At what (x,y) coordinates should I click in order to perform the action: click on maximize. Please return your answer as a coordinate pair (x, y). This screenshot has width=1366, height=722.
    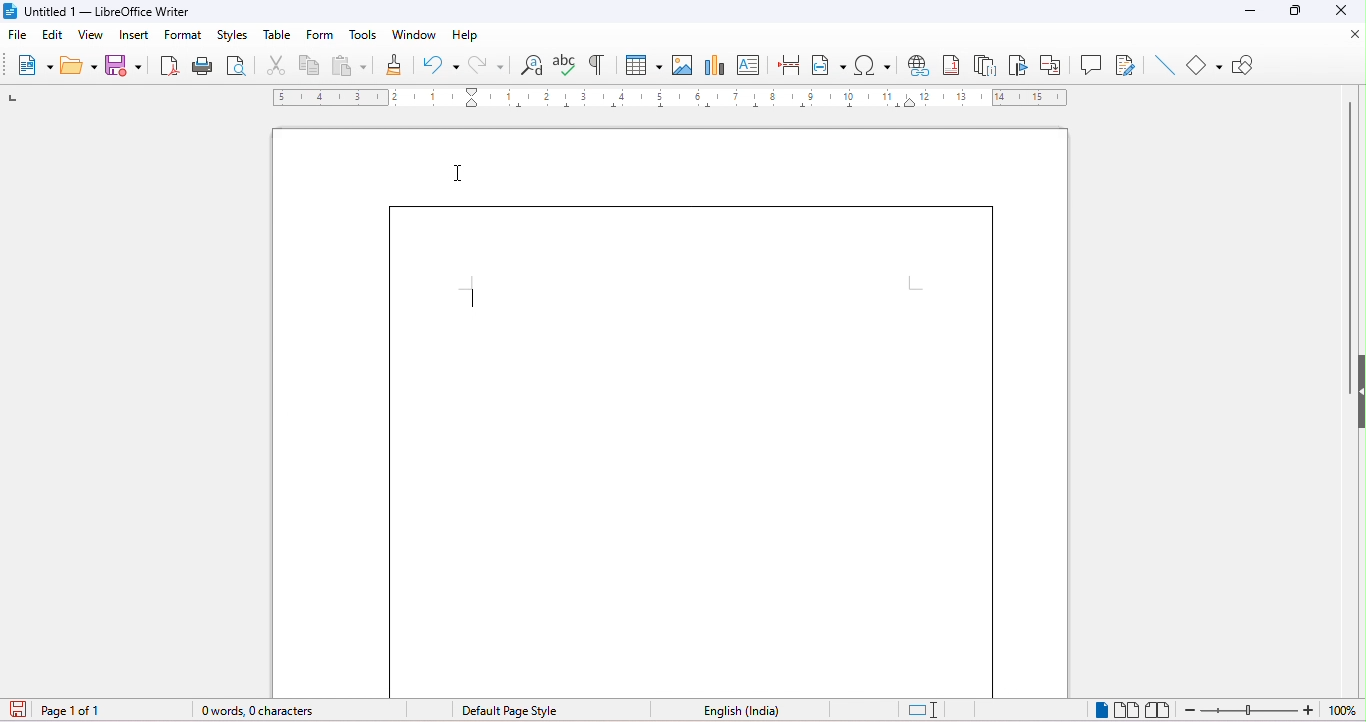
    Looking at the image, I should click on (1299, 11).